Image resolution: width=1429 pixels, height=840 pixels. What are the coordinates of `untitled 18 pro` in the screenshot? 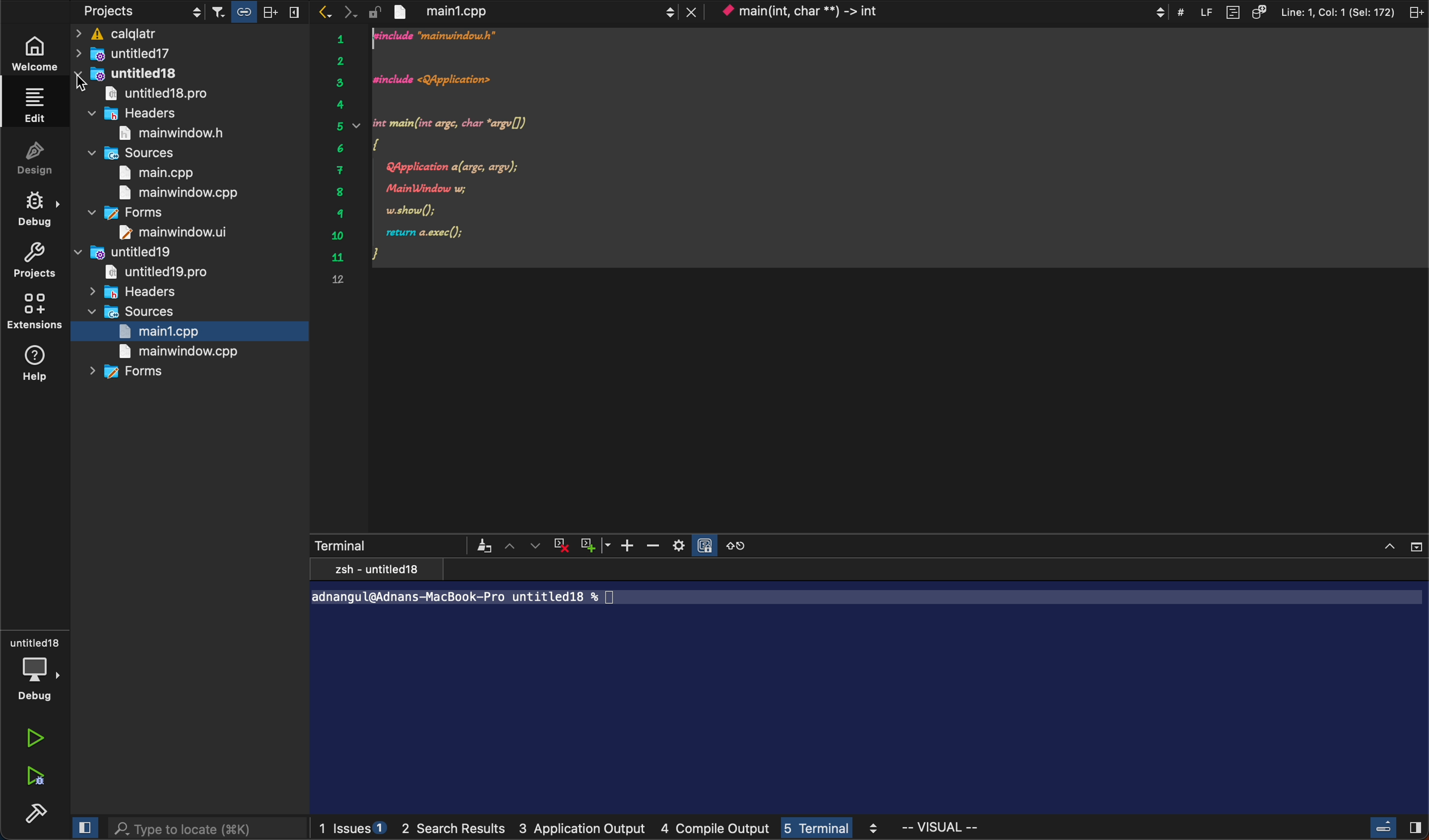 It's located at (163, 94).